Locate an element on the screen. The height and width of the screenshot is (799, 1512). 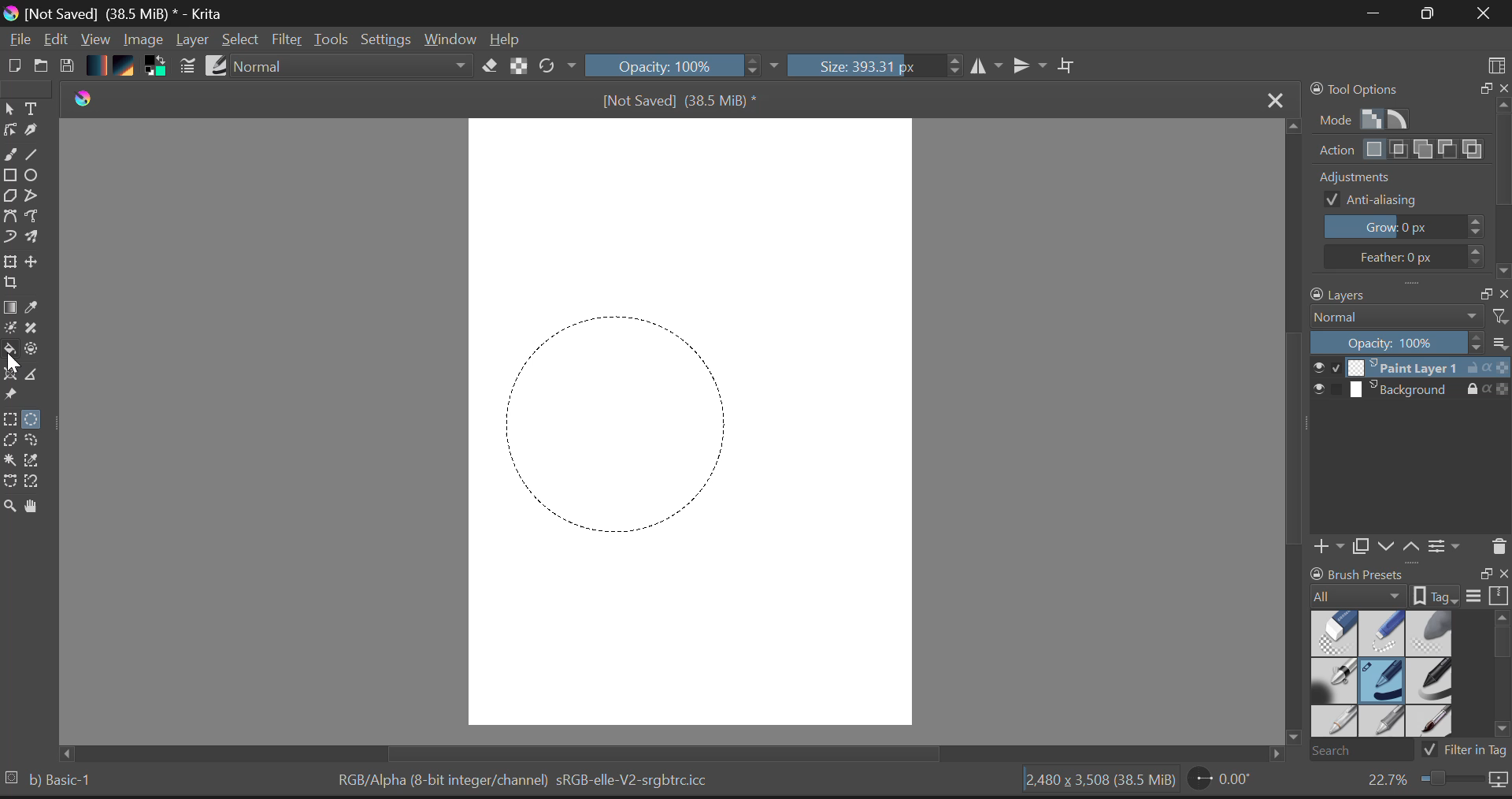
View is located at coordinates (96, 41).